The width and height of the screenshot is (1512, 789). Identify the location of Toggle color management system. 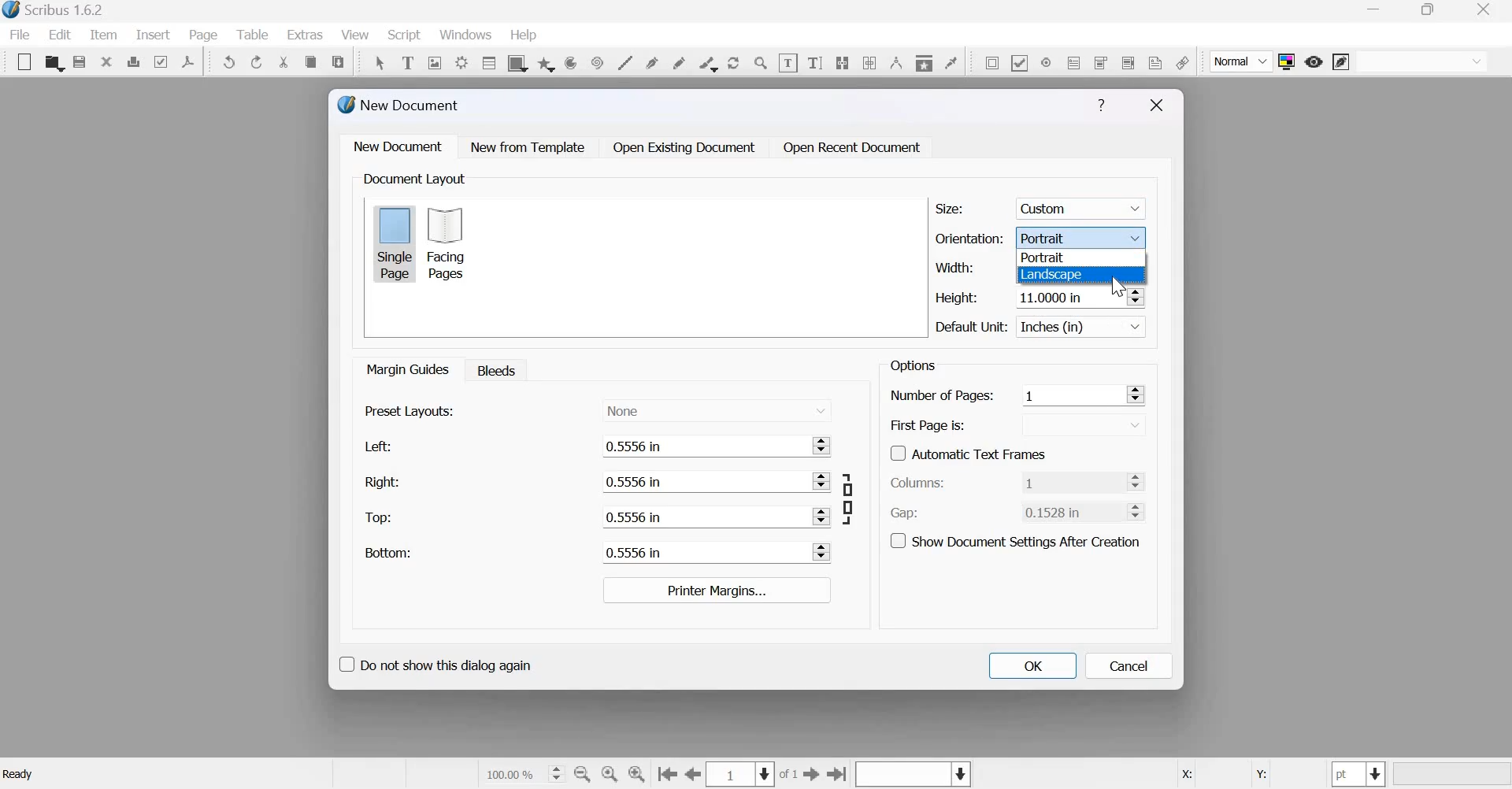
(1287, 61).